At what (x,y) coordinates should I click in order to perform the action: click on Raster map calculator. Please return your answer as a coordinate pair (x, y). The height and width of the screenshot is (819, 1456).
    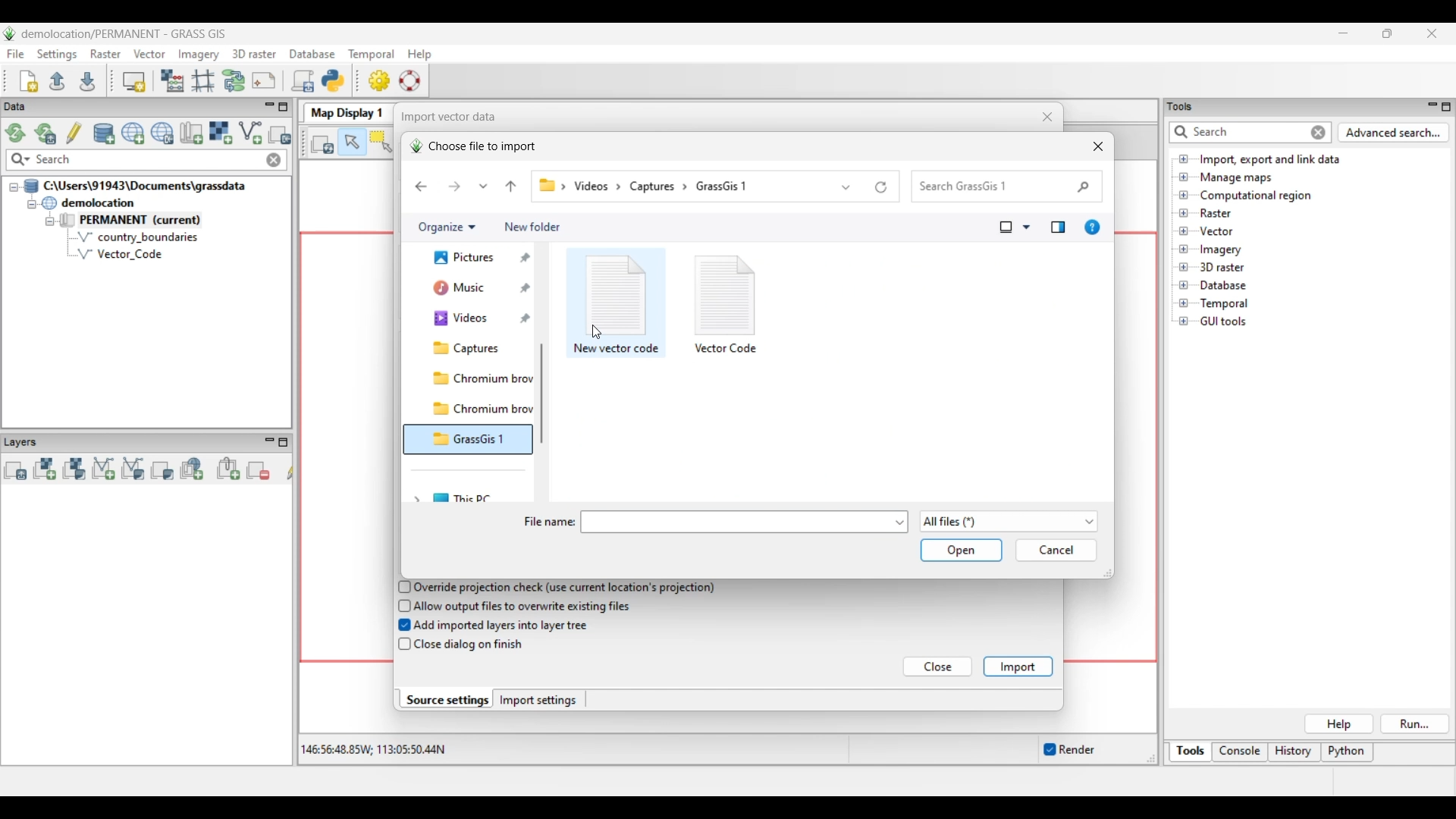
    Looking at the image, I should click on (172, 80).